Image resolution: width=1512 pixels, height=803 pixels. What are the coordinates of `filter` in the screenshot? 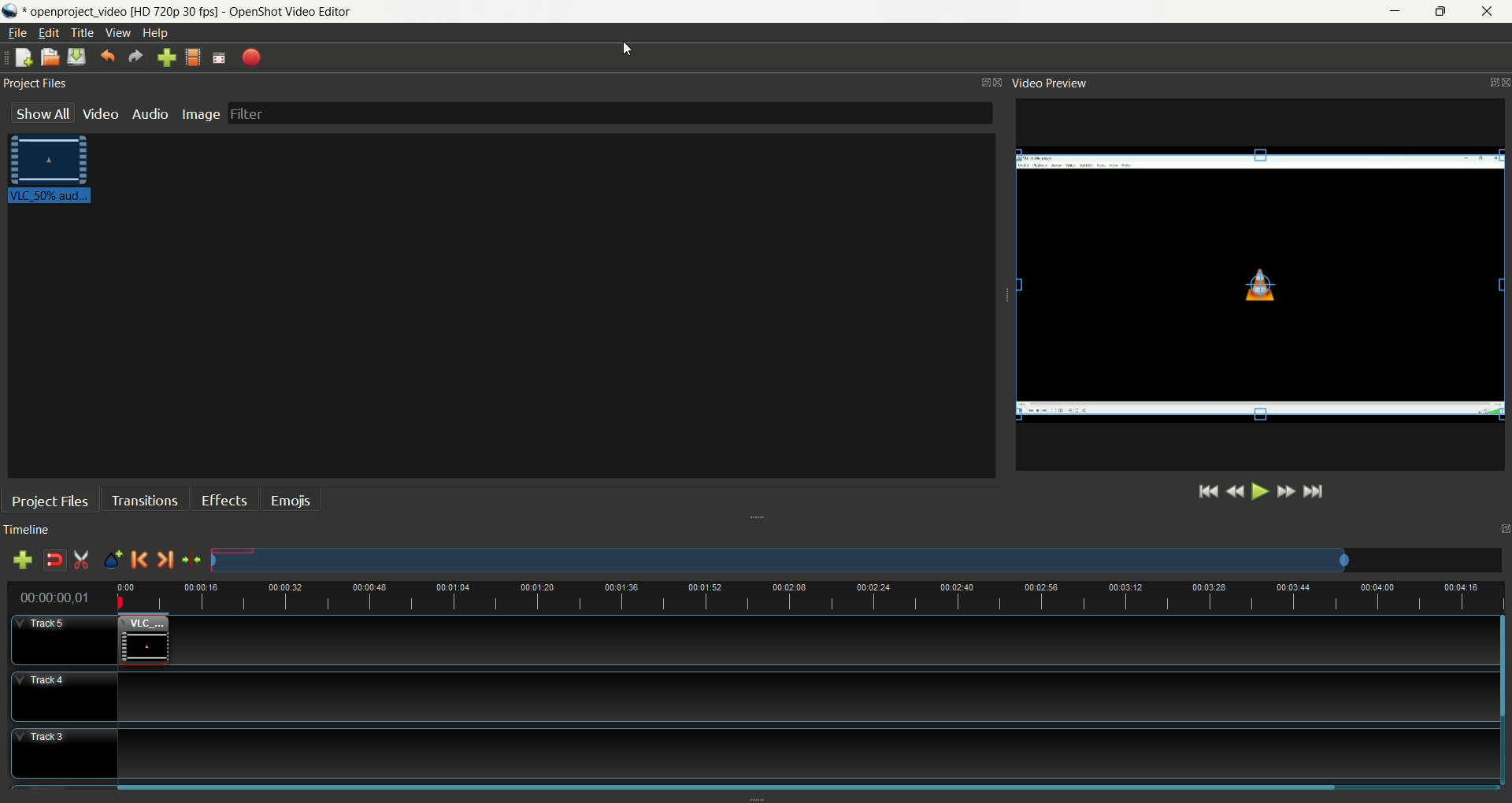 It's located at (611, 113).